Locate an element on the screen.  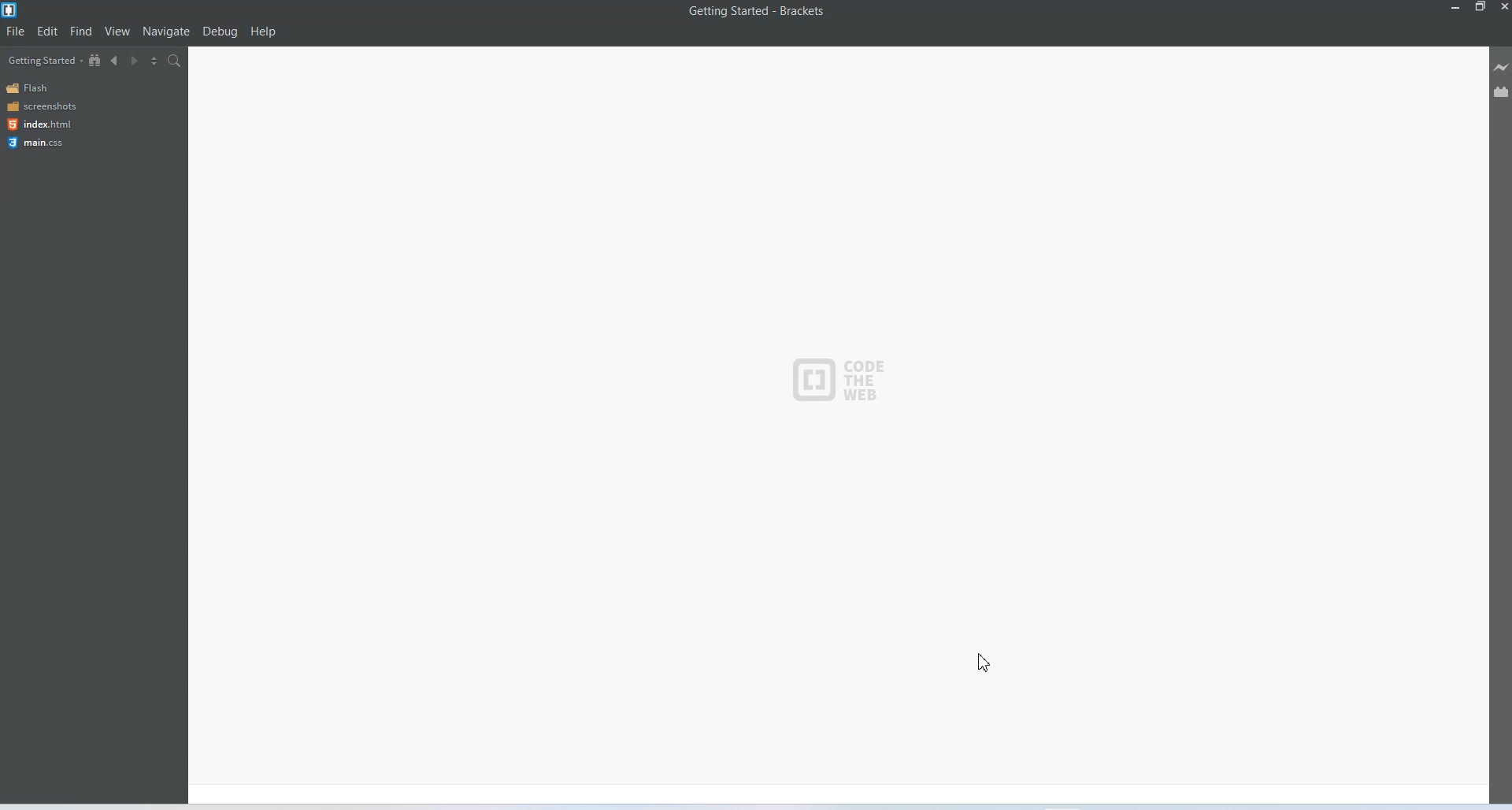
Main css is located at coordinates (55, 144).